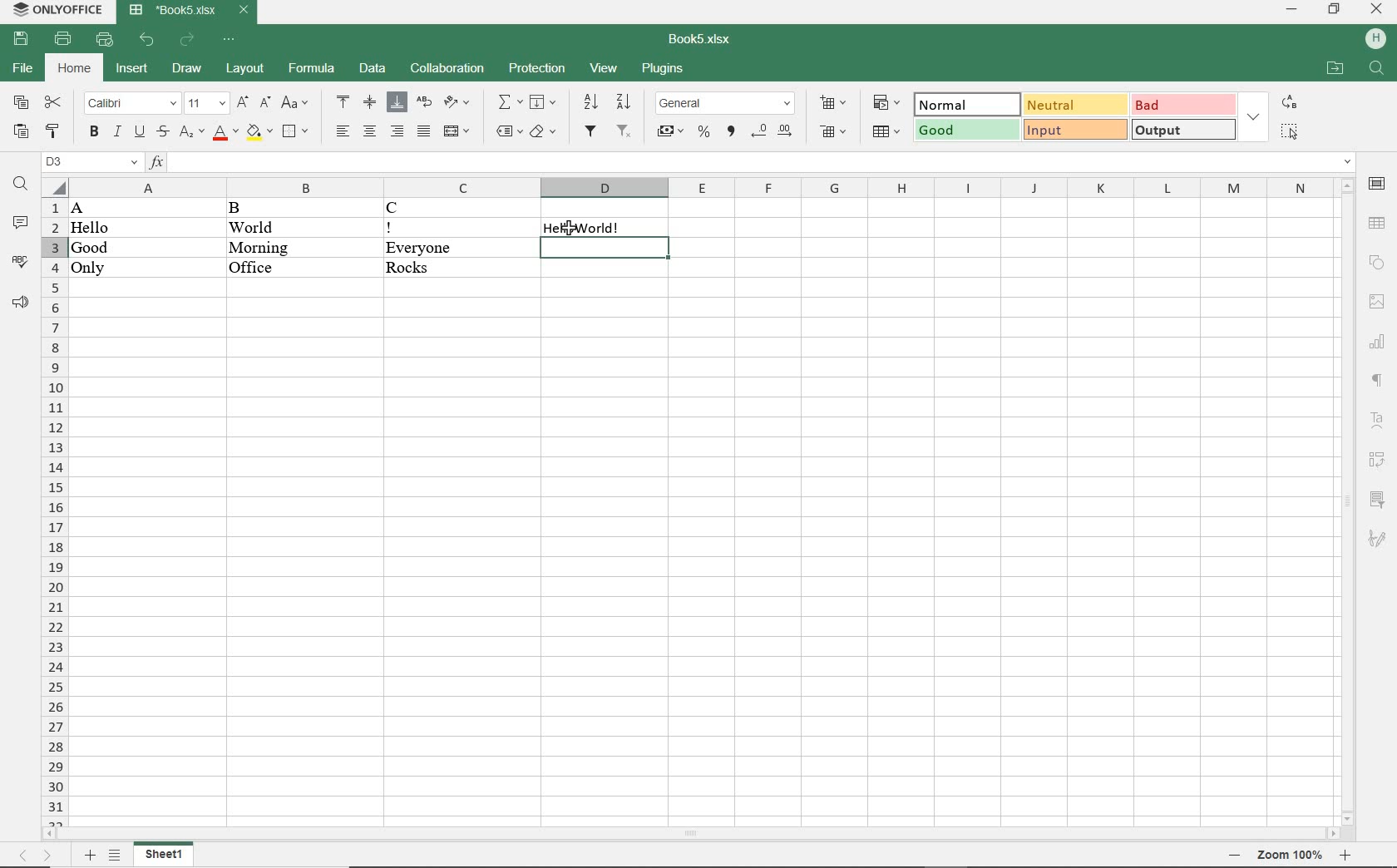 The image size is (1397, 868). Describe the element at coordinates (230, 40) in the screenshot. I see `CUSTOMIZE QUICK ACCESS TOOLBAR` at that location.